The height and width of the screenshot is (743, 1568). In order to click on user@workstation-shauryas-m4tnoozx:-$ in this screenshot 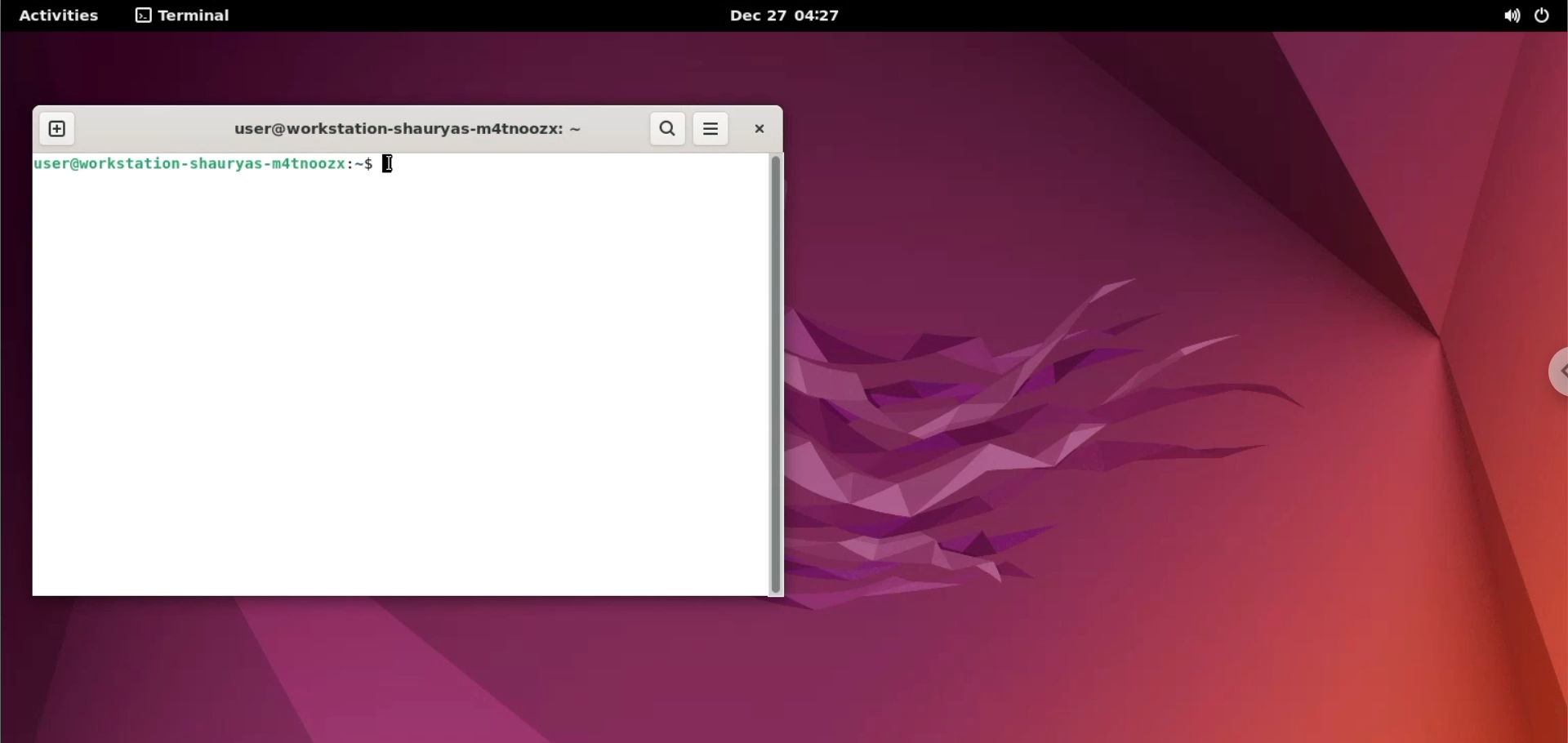, I will do `click(405, 131)`.